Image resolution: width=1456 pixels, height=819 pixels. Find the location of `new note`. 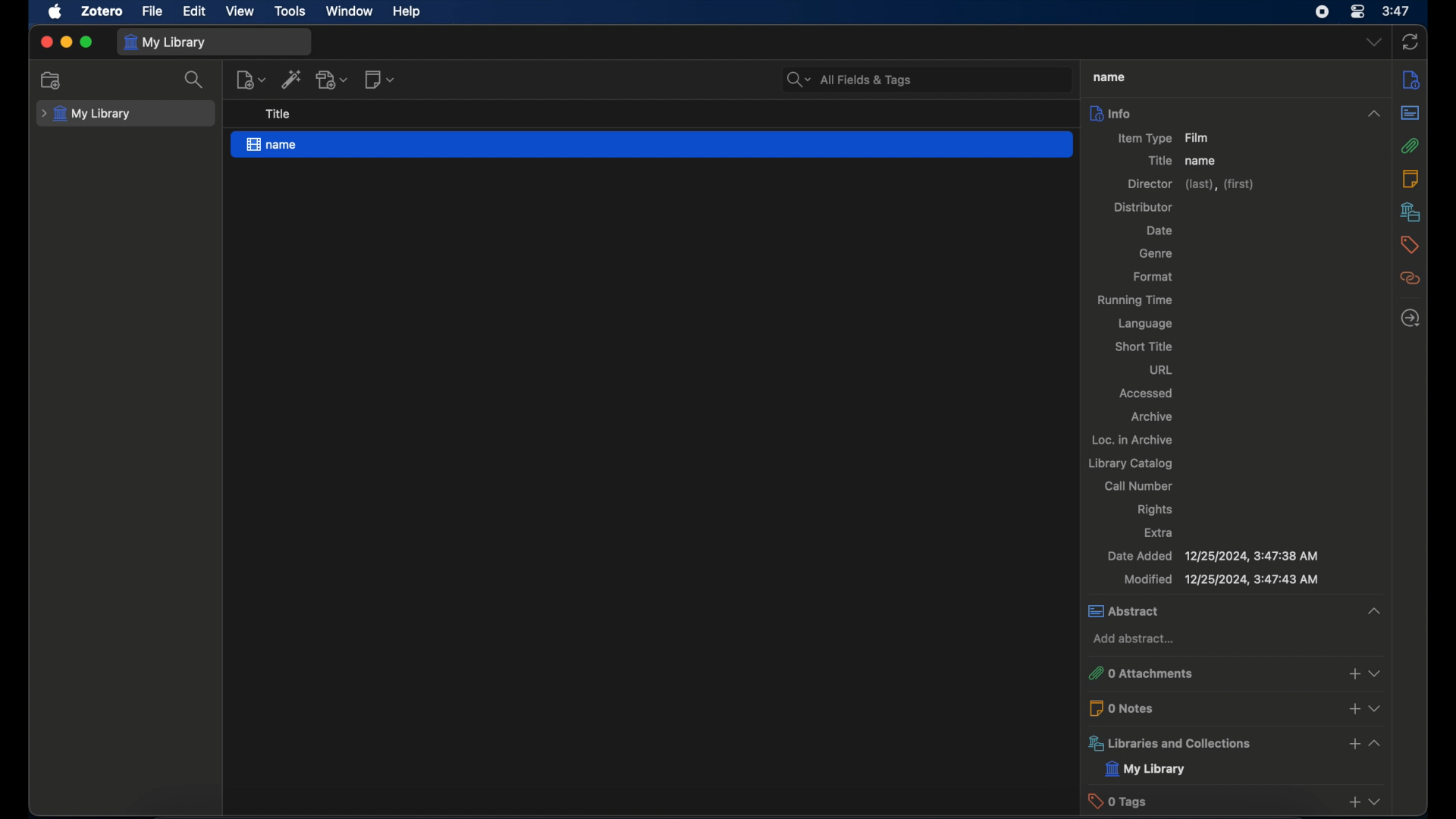

new note is located at coordinates (381, 80).